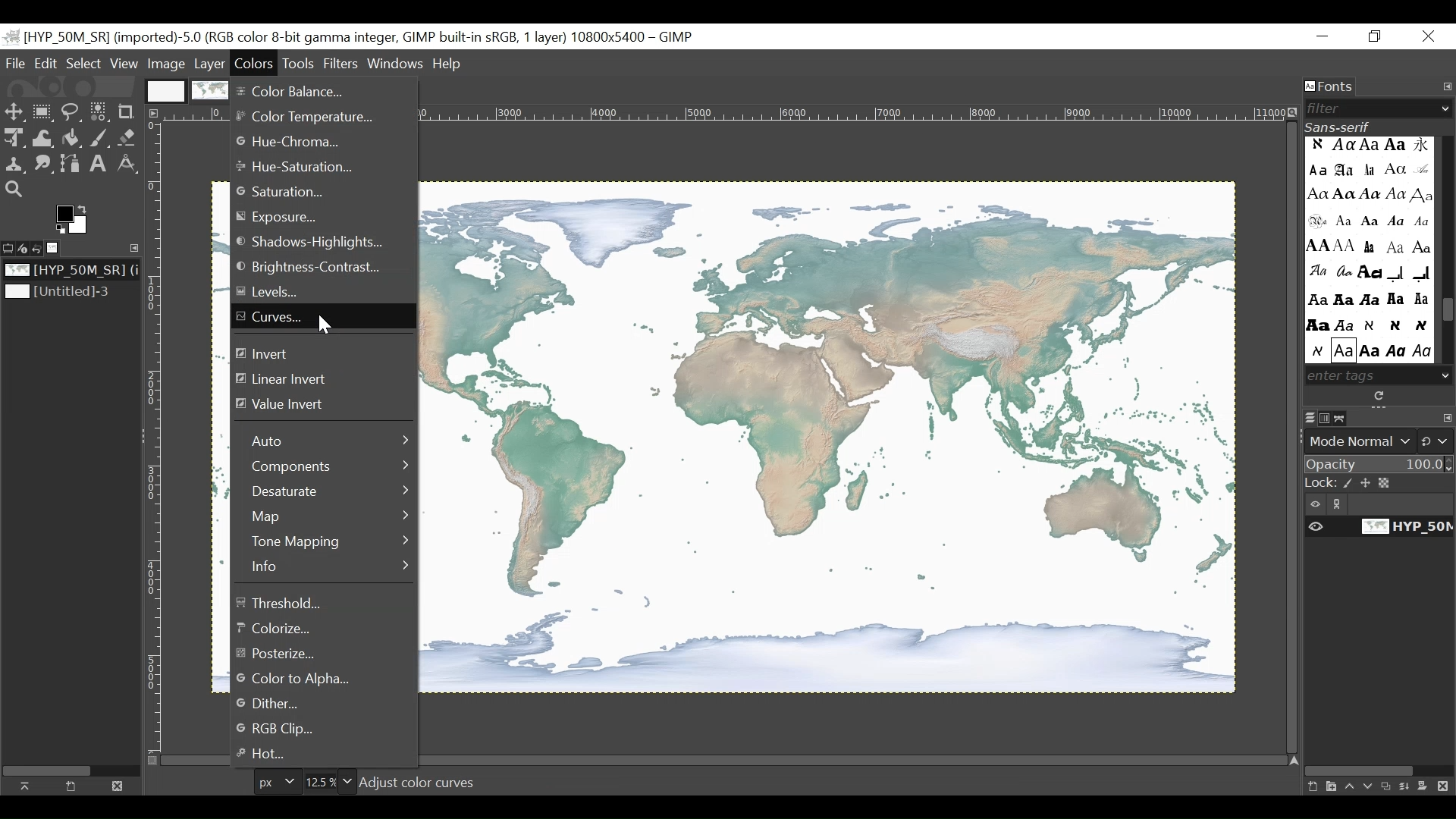  I want to click on Lock, so click(1380, 484).